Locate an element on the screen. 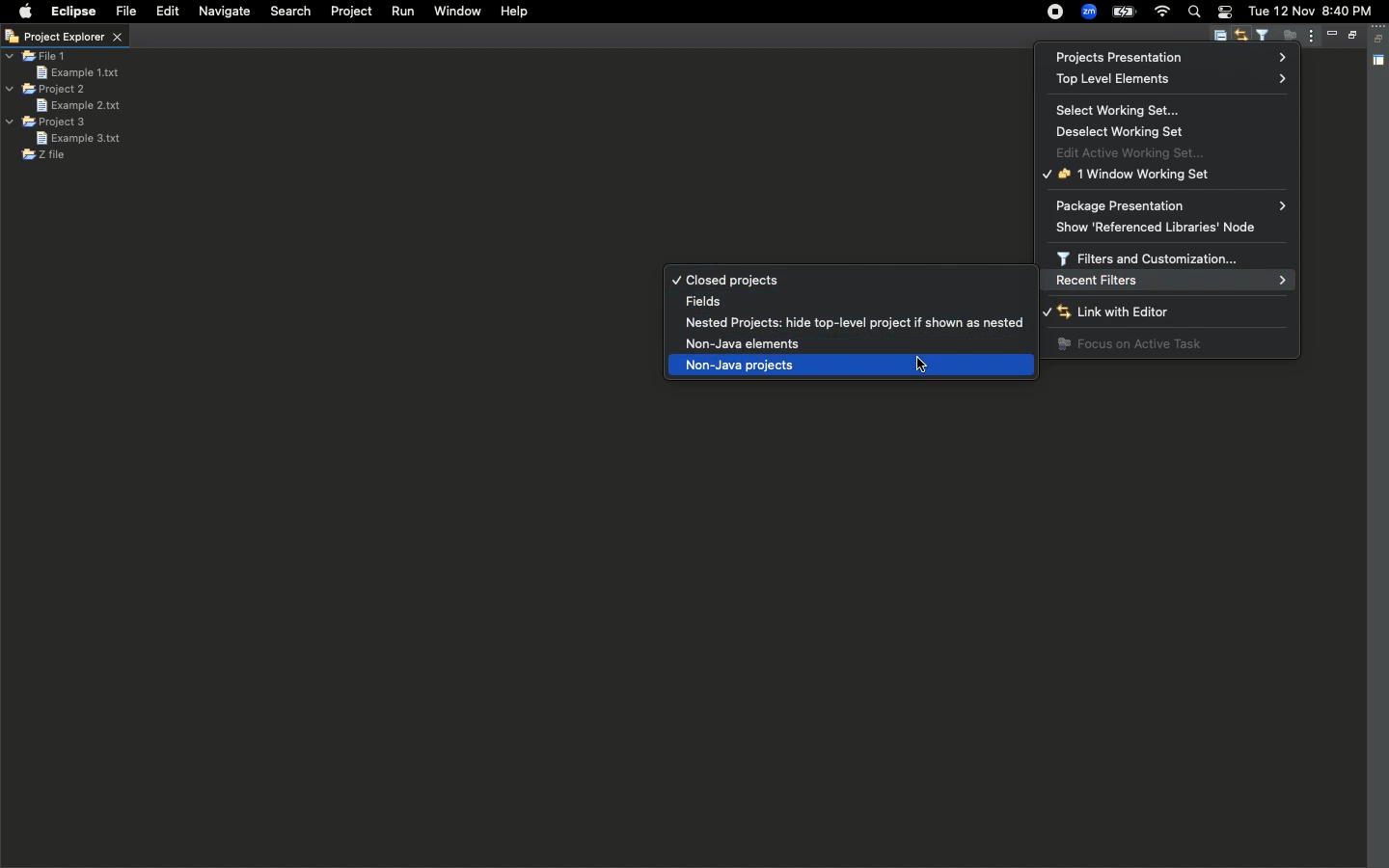 This screenshot has height=868, width=1389. Non-java elements is located at coordinates (746, 344).